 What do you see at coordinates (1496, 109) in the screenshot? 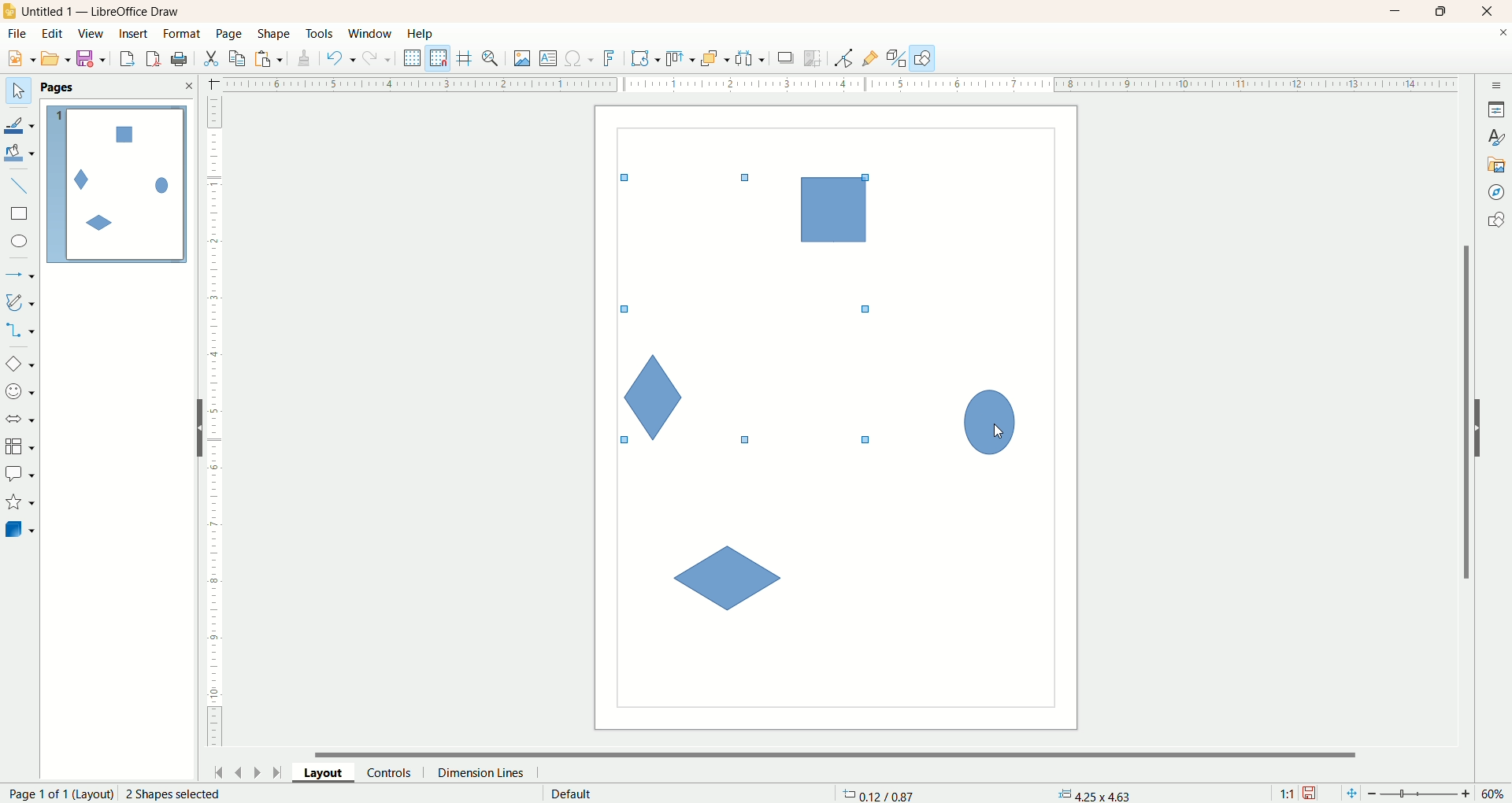
I see `properties` at bounding box center [1496, 109].